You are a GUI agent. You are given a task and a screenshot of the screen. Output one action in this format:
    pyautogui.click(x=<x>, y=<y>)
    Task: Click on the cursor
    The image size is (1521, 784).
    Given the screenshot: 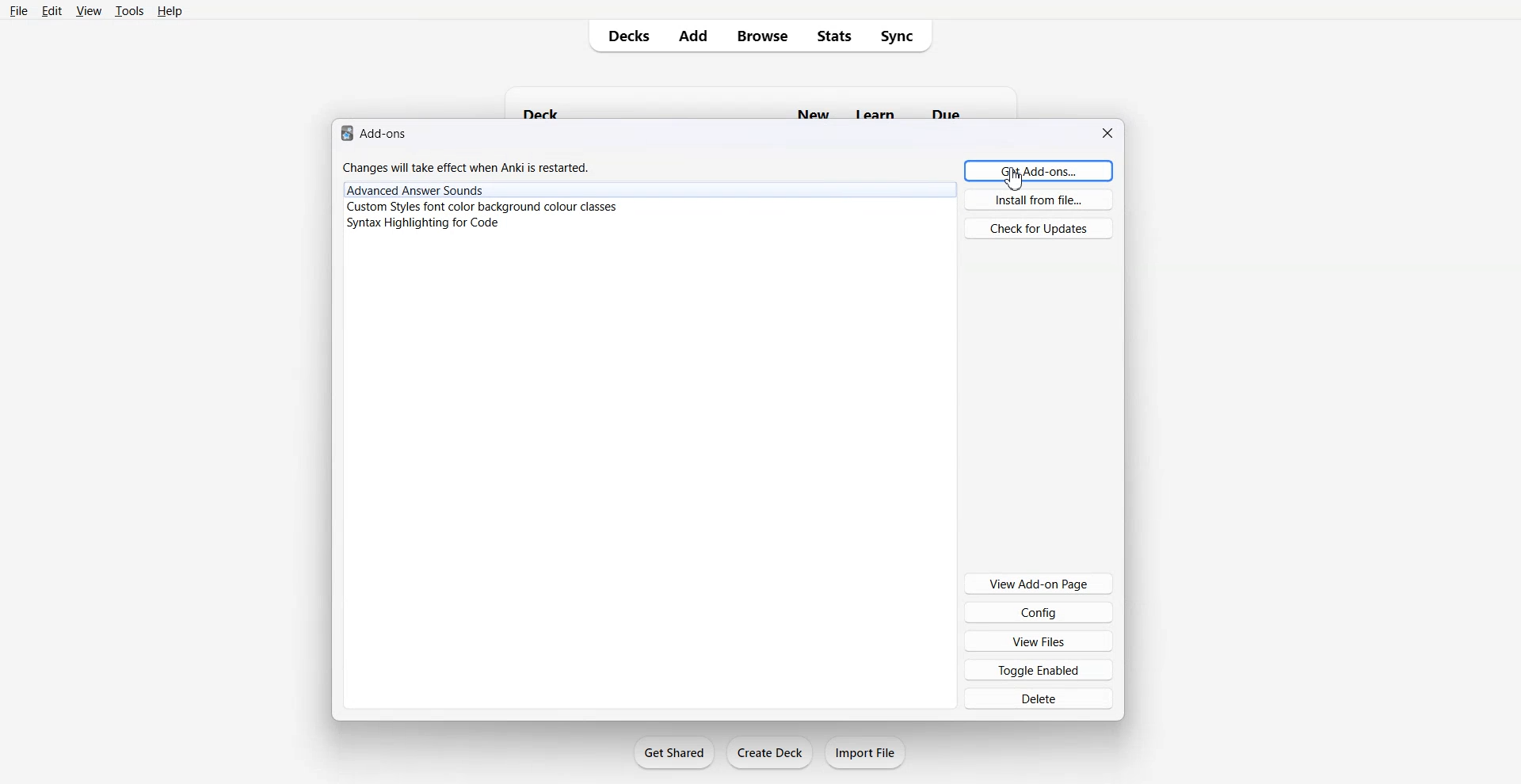 What is the action you would take?
    pyautogui.click(x=1017, y=181)
    